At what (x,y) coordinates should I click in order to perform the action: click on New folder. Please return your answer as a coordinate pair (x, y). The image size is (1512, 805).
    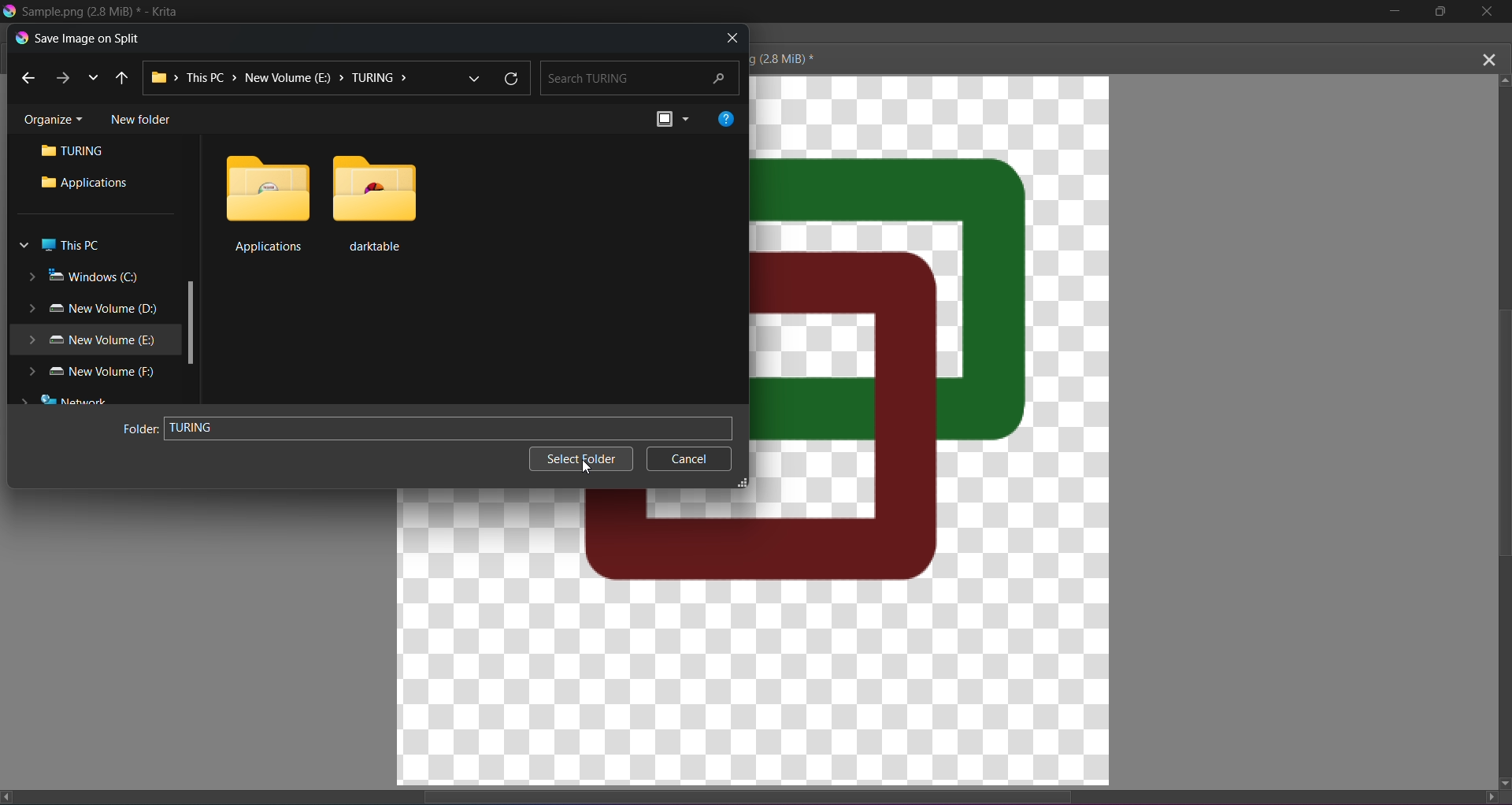
    Looking at the image, I should click on (141, 118).